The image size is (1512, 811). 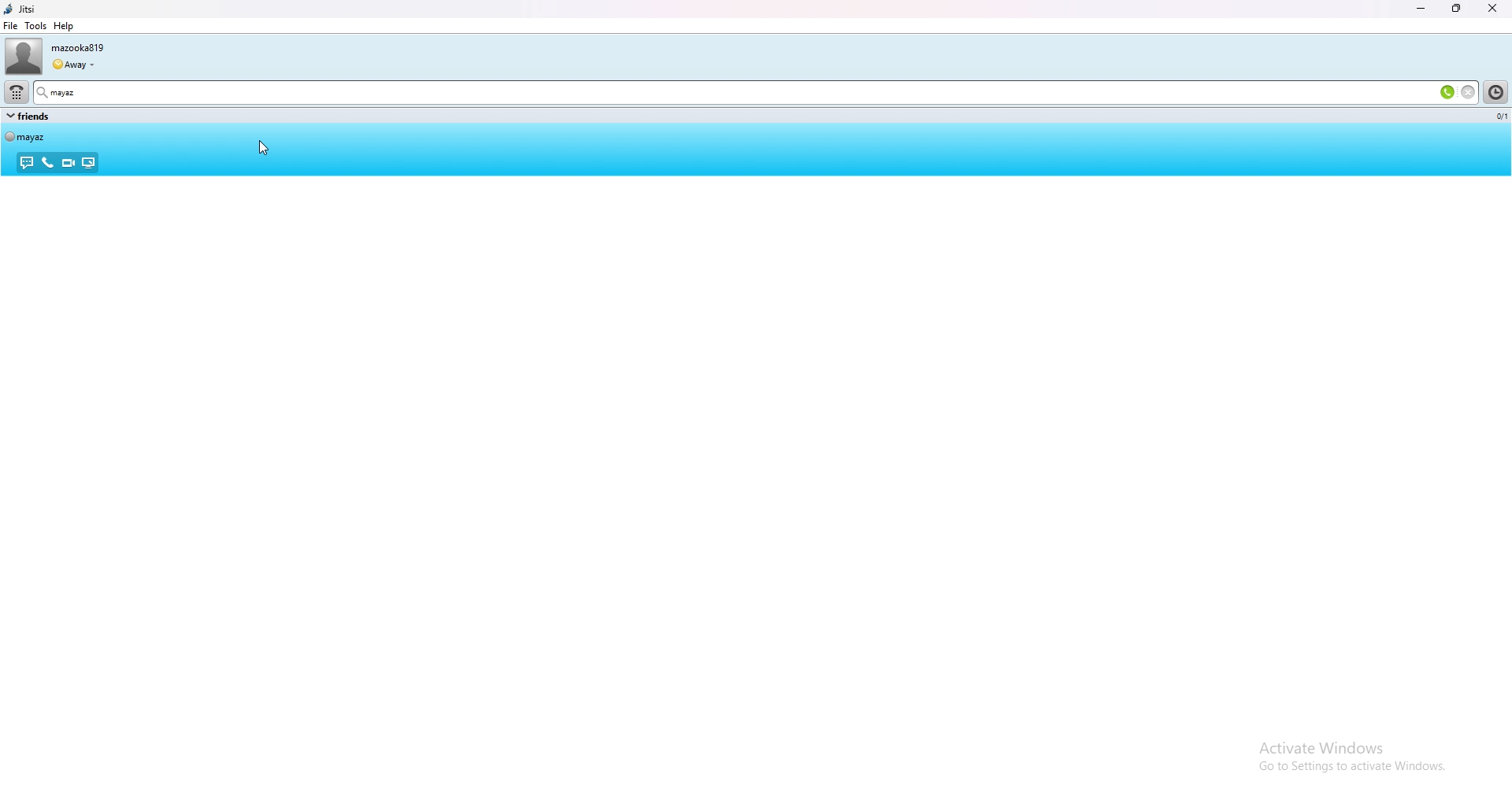 What do you see at coordinates (1421, 9) in the screenshot?
I see `minimize` at bounding box center [1421, 9].